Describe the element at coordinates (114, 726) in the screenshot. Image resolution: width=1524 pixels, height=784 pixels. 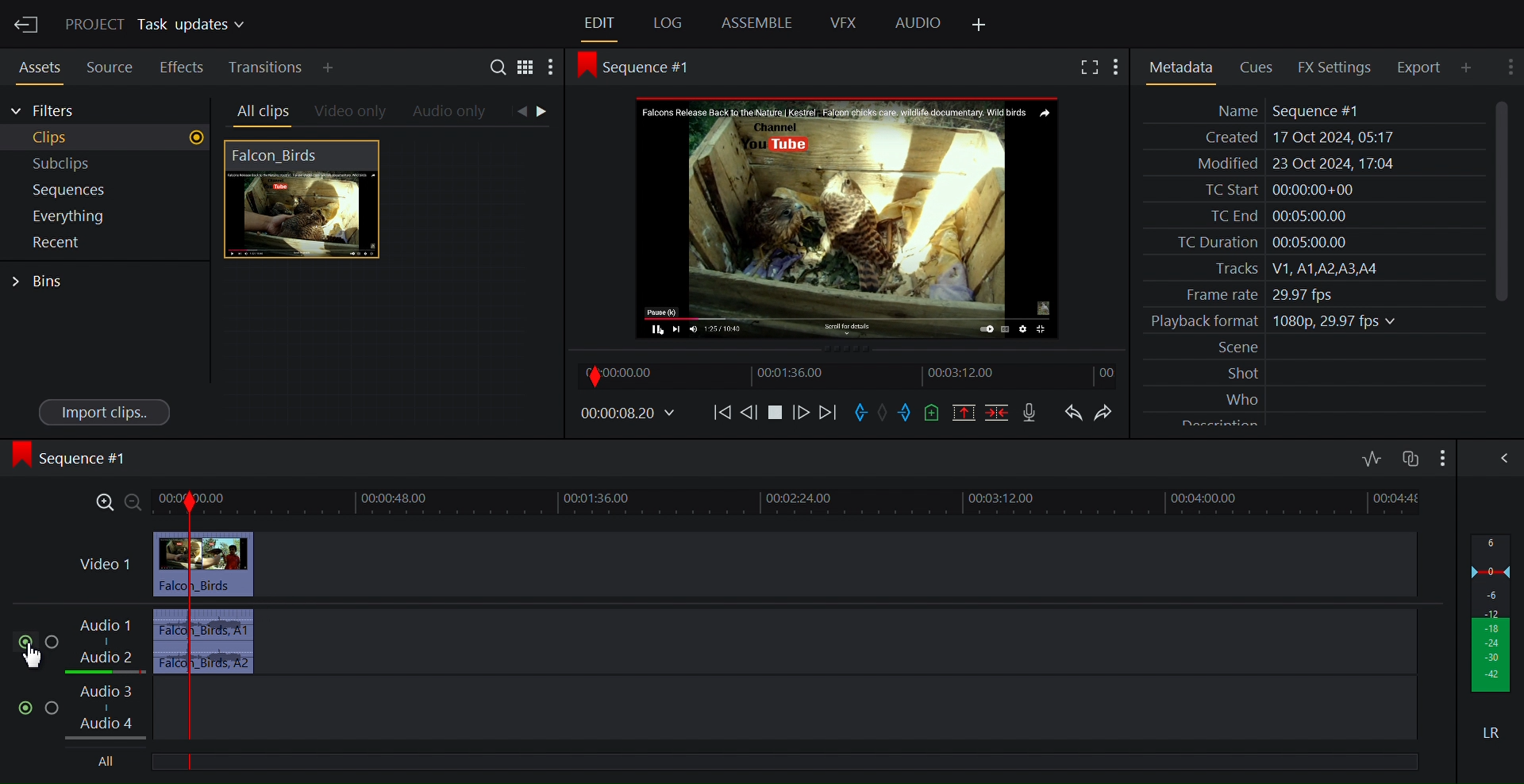
I see `Audio 4` at that location.